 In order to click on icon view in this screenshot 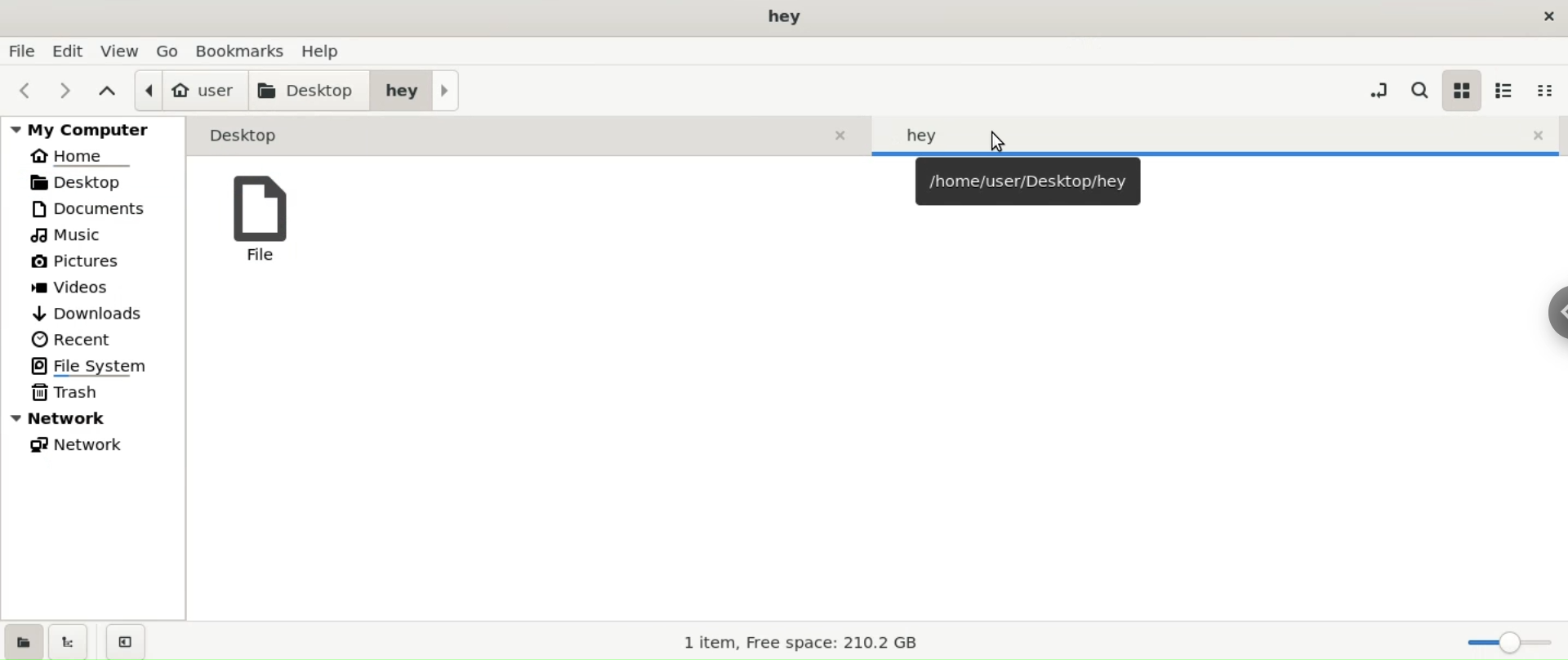, I will do `click(1461, 90)`.